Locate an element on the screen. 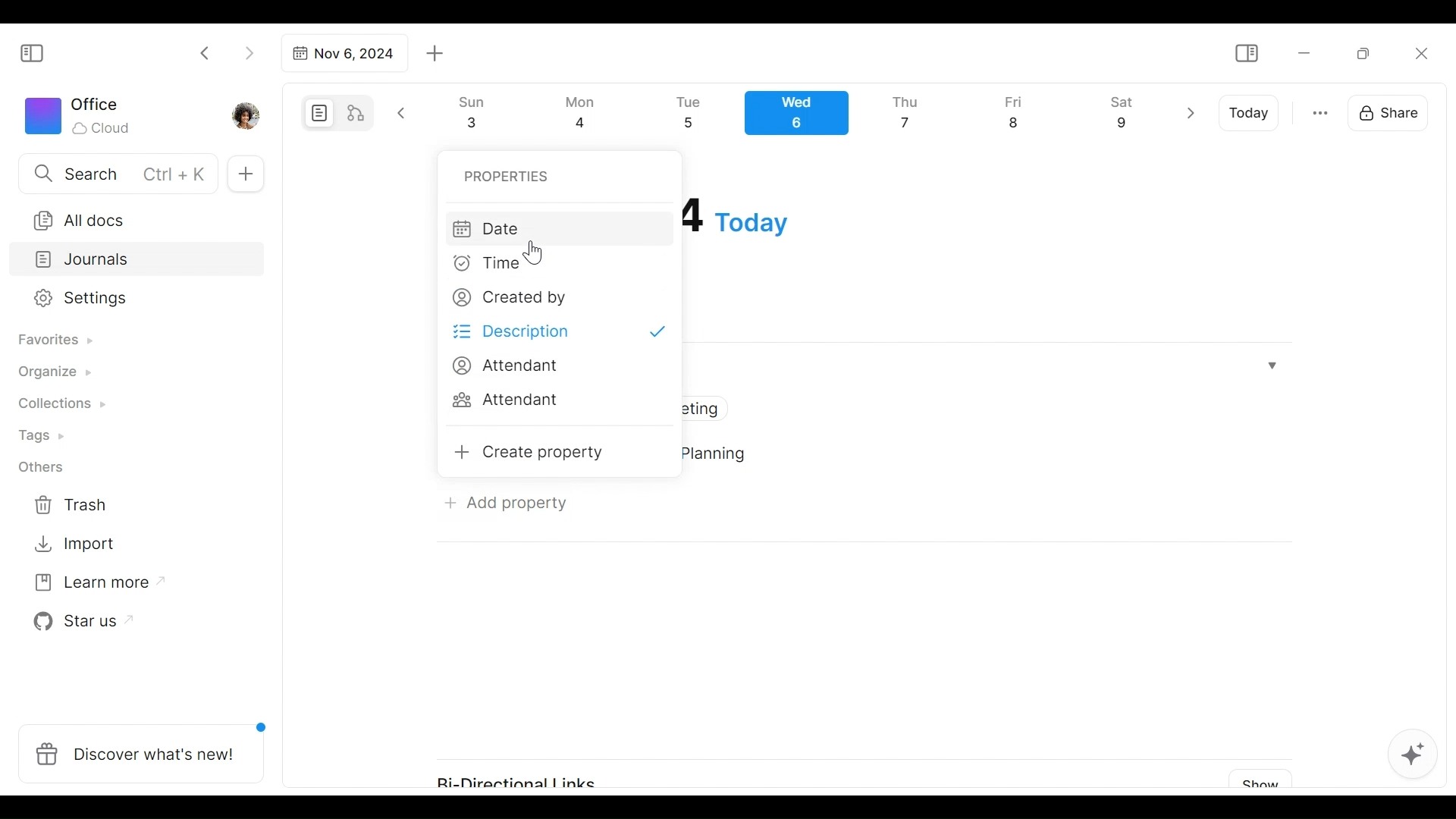  Date is located at coordinates (557, 228).